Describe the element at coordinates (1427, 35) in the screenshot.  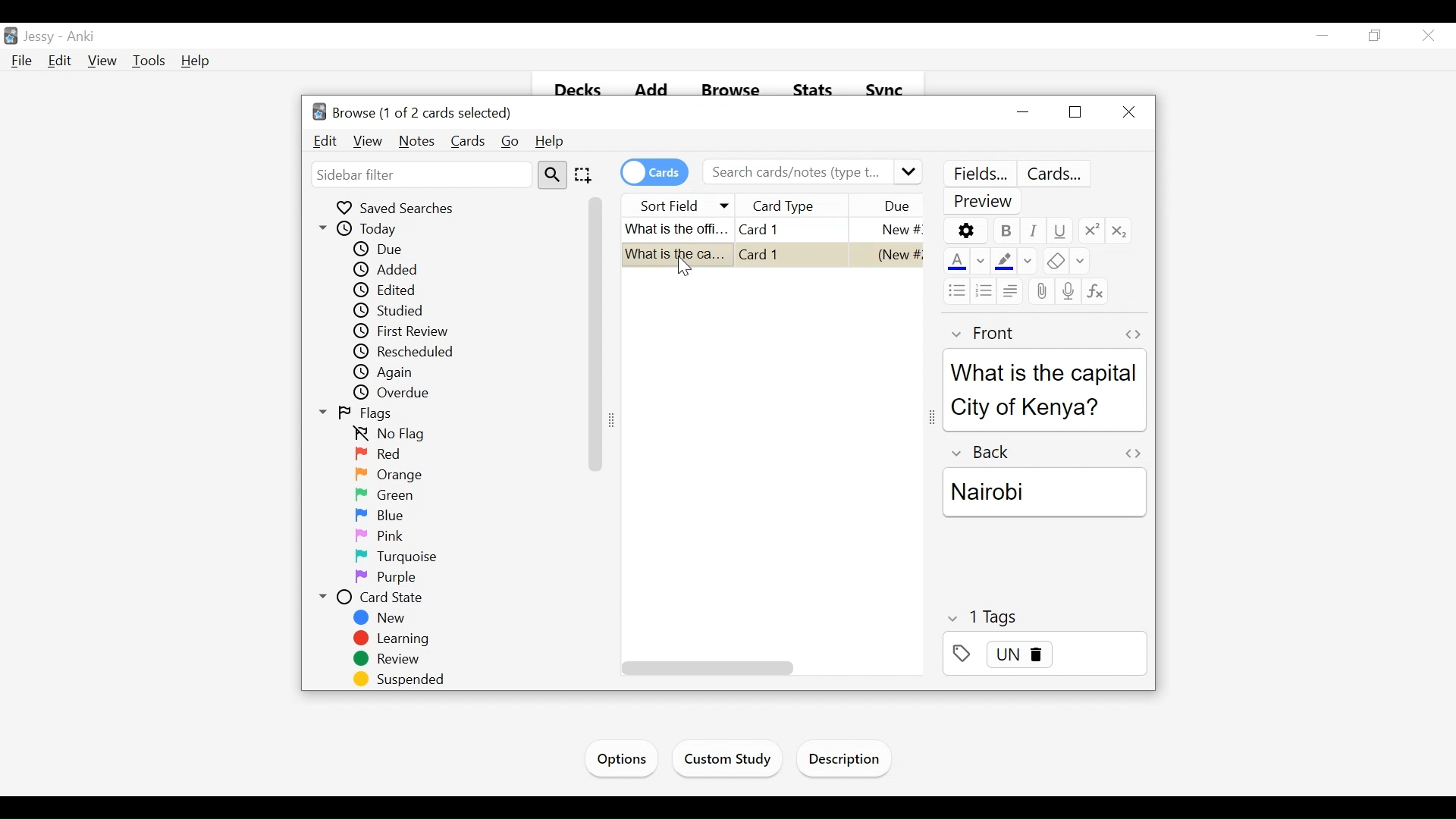
I see `Cursor` at that location.